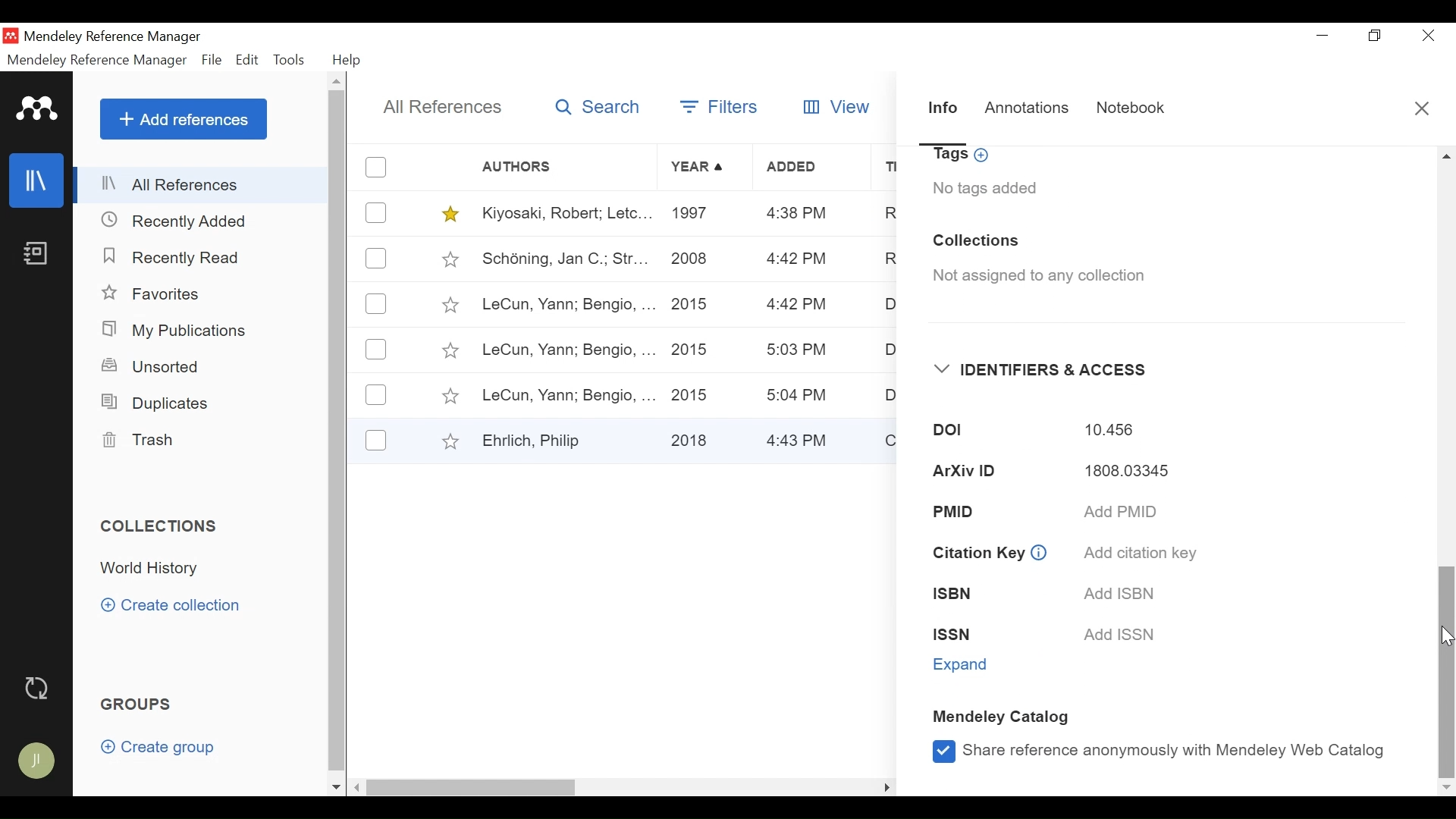  I want to click on 1997, so click(693, 215).